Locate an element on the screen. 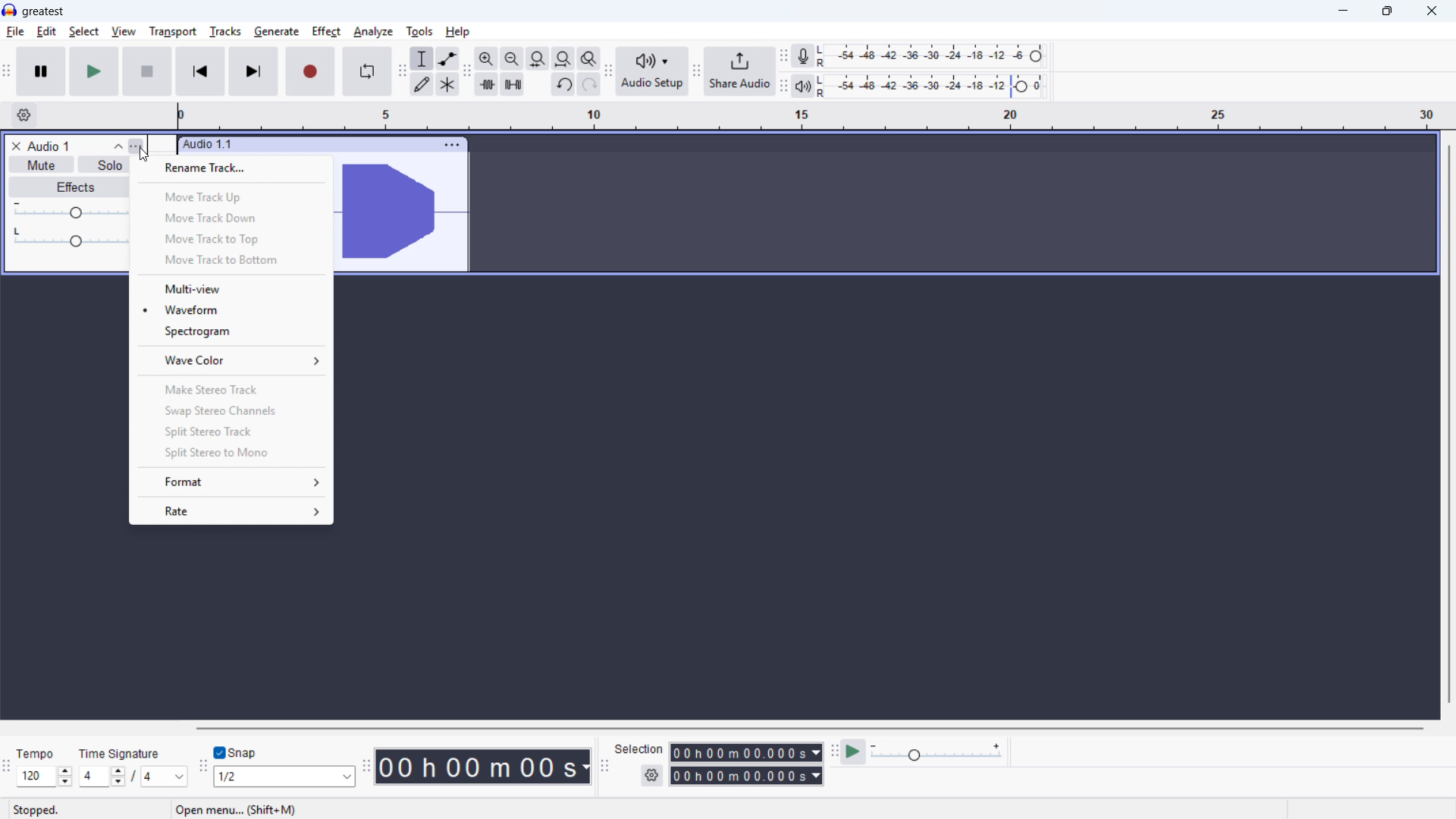 The image size is (1456, 819). pan: center is located at coordinates (65, 238).